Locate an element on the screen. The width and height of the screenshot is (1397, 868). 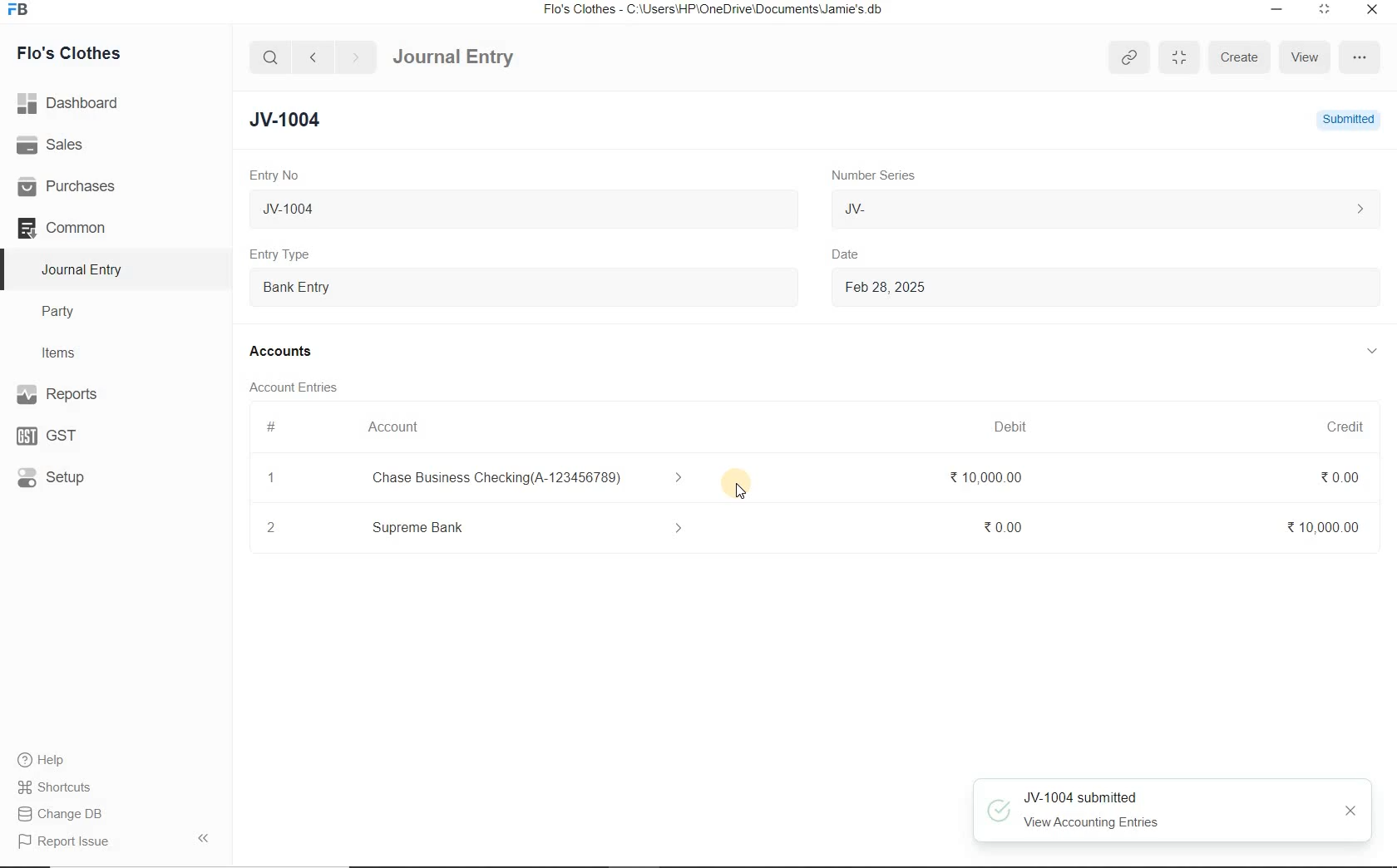
Account is located at coordinates (398, 427).